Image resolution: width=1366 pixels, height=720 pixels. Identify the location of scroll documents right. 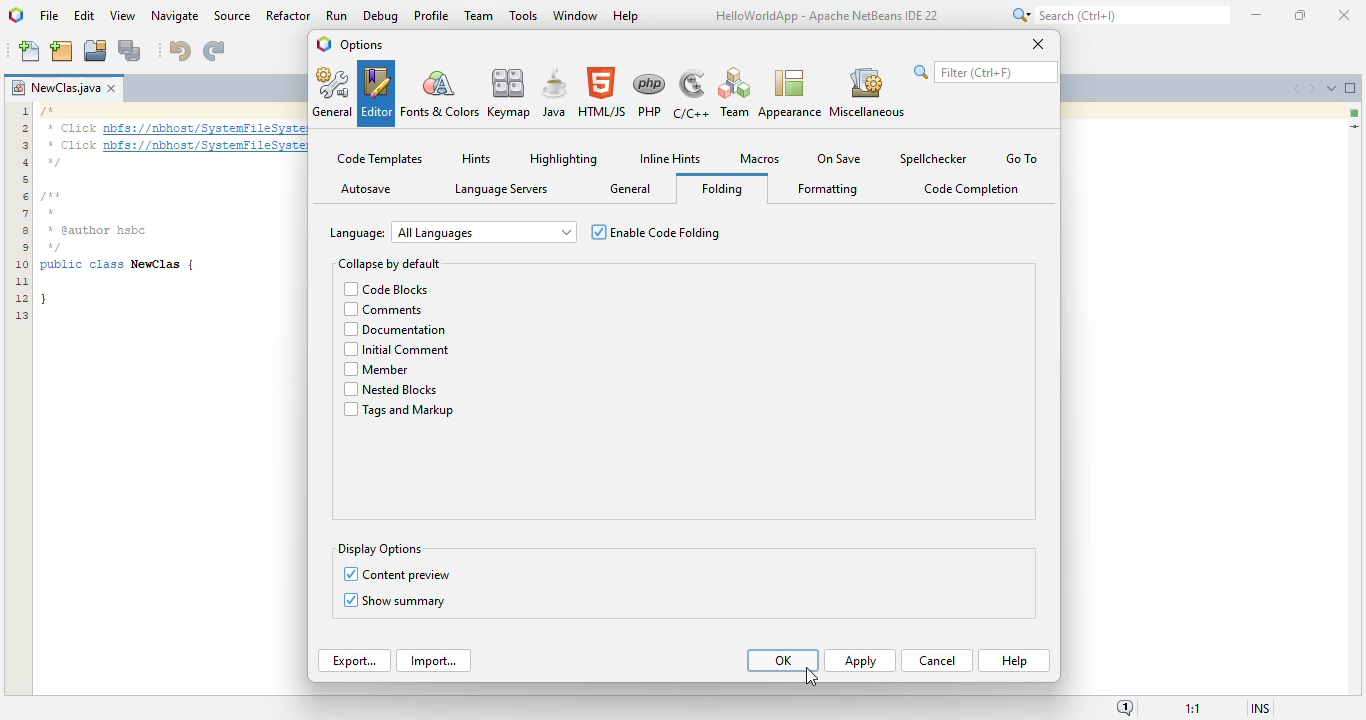
(1310, 89).